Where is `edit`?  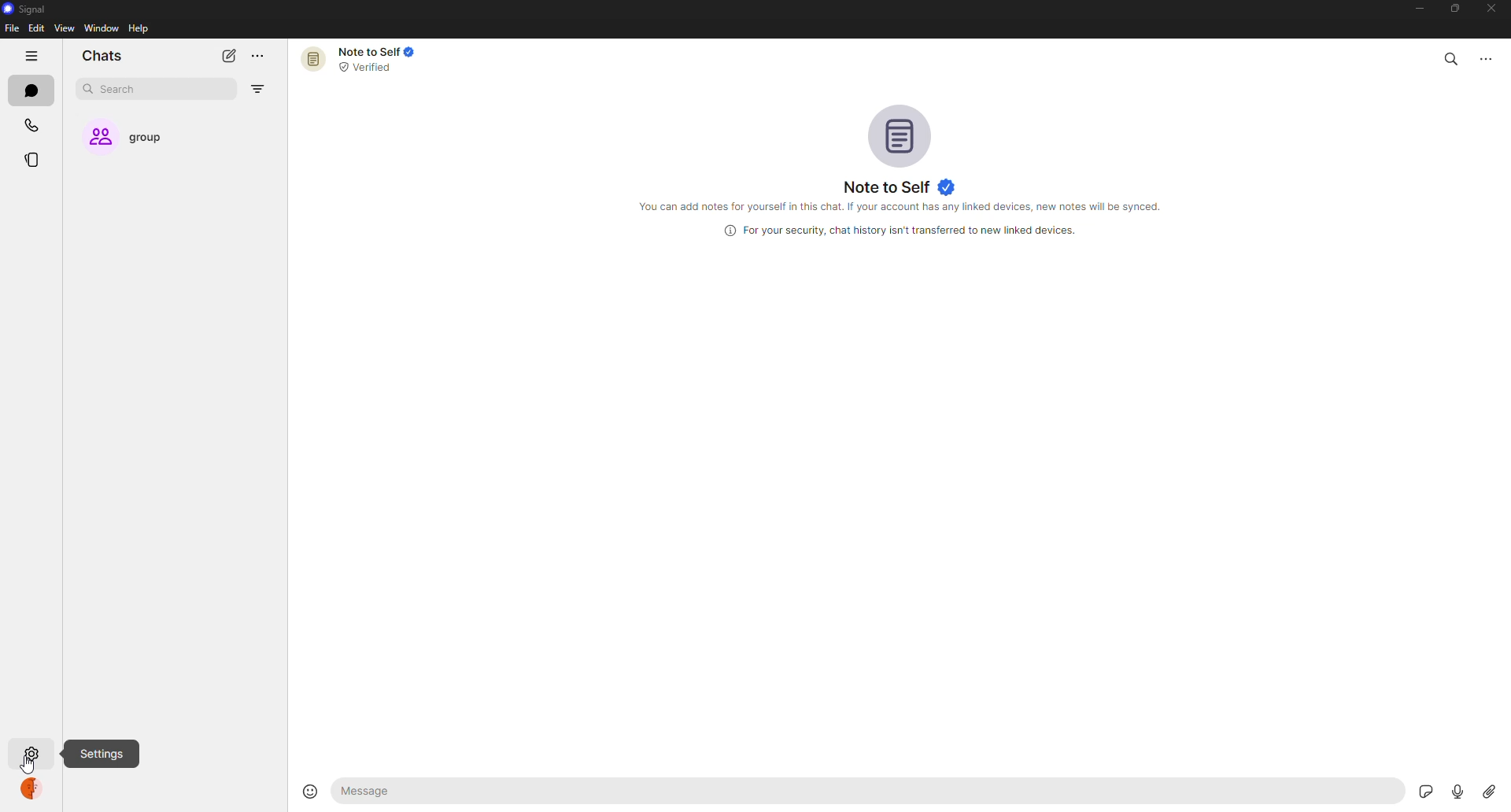 edit is located at coordinates (36, 28).